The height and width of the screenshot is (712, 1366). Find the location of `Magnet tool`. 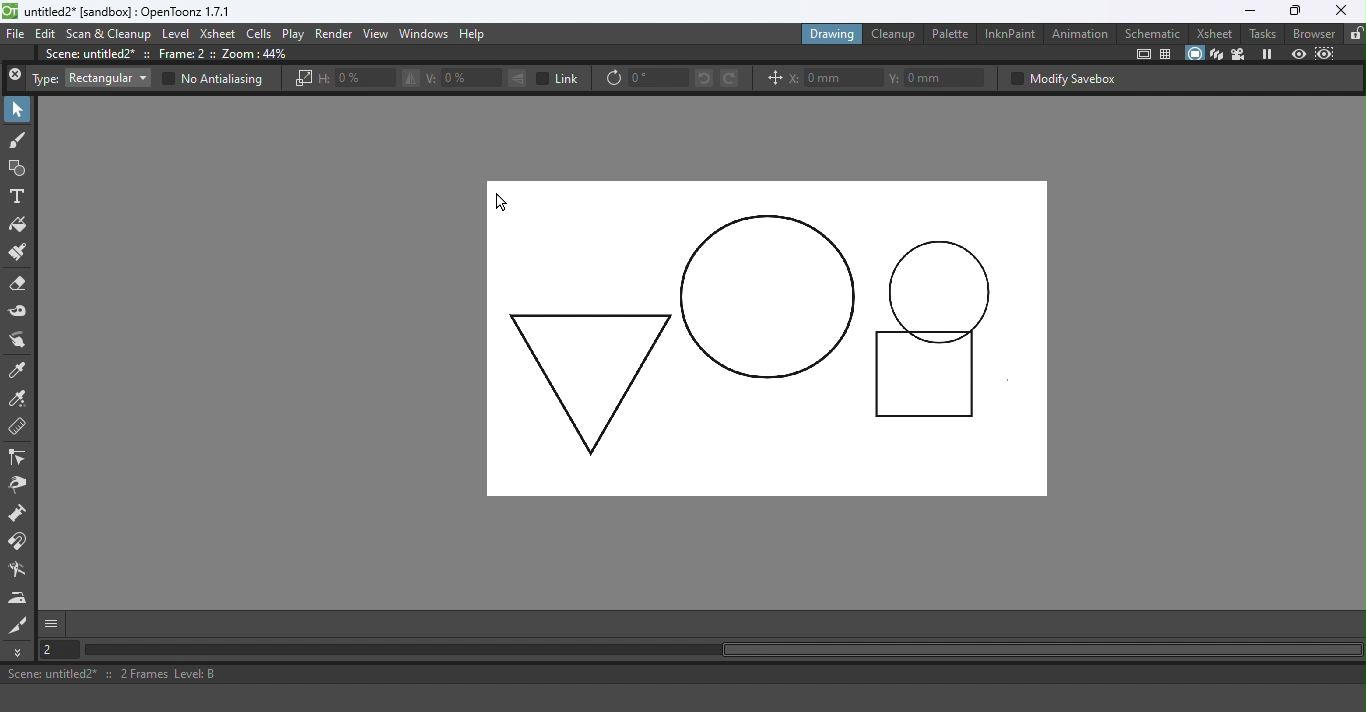

Magnet tool is located at coordinates (20, 543).